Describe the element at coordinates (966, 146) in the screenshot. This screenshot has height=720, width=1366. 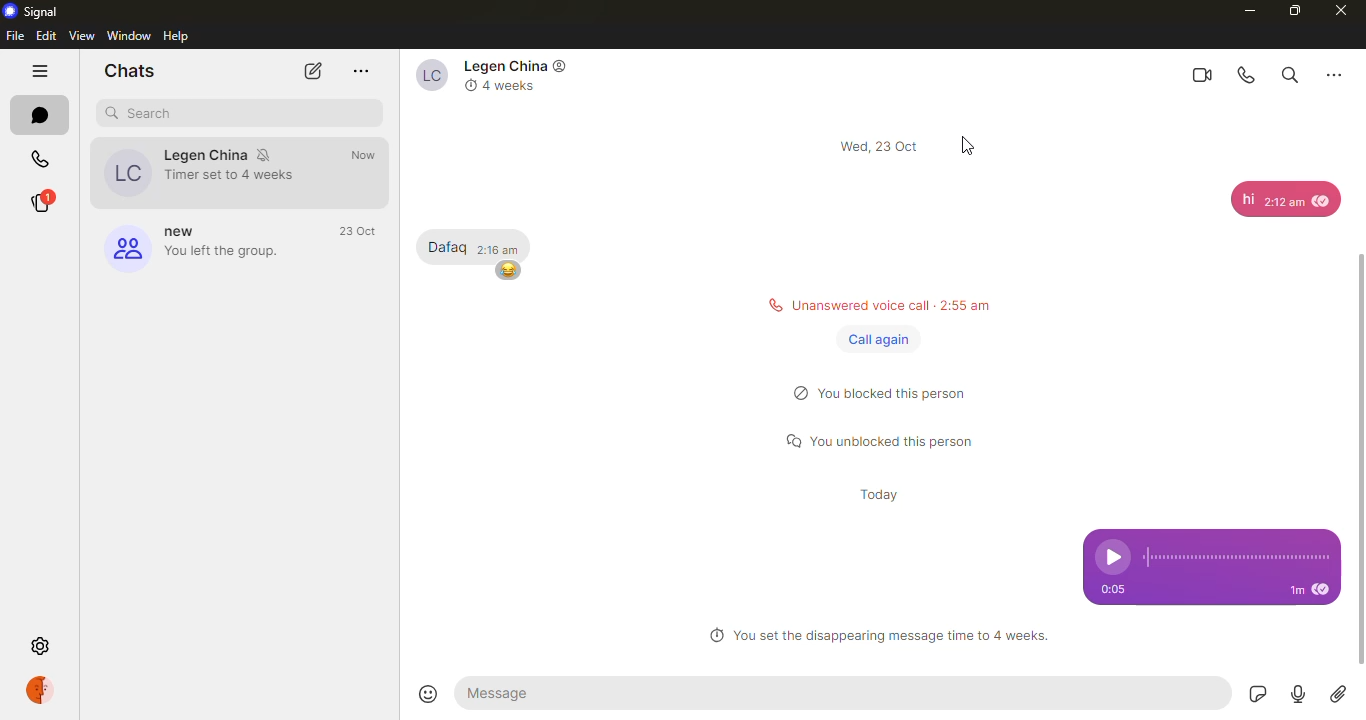
I see `cursor` at that location.